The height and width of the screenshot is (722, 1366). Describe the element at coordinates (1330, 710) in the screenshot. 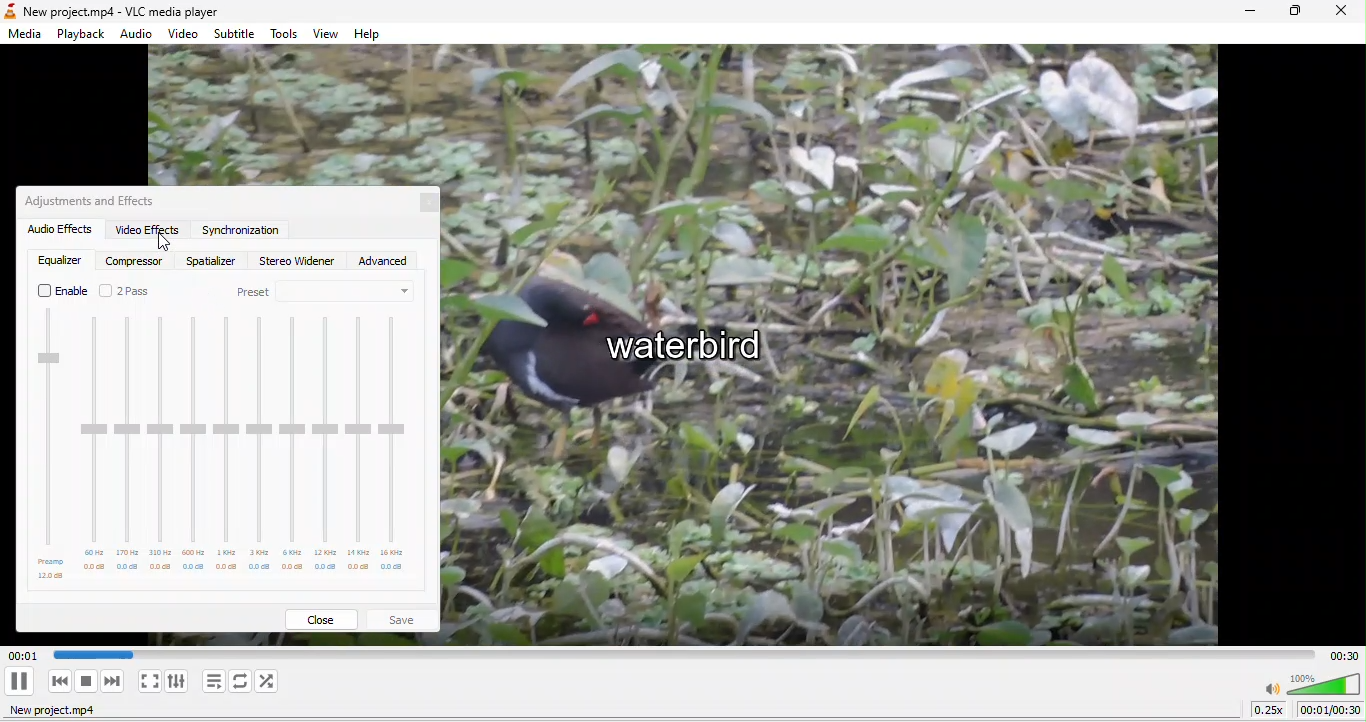

I see `00:00/00:30` at that location.